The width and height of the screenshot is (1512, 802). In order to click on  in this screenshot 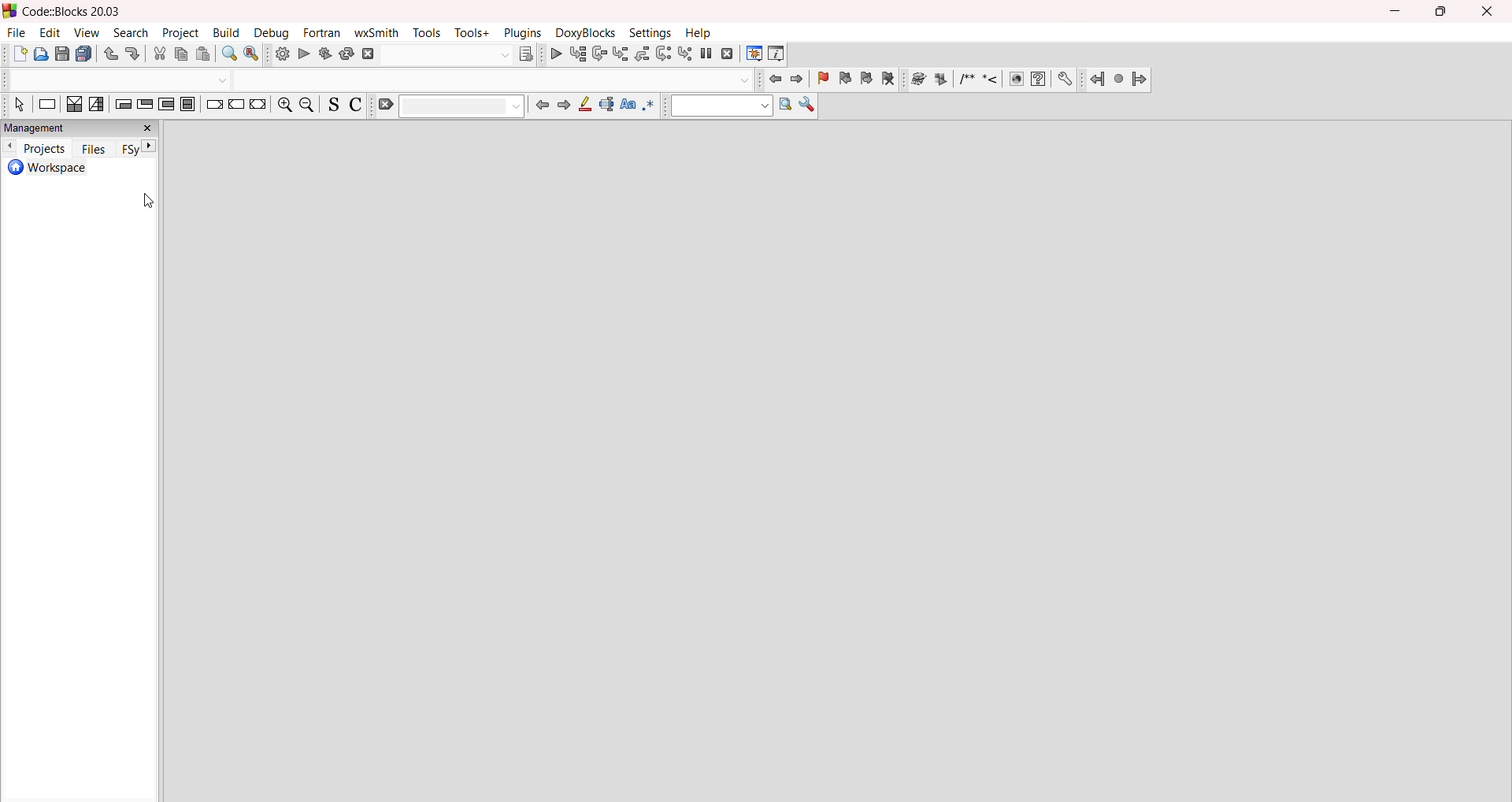, I will do `click(75, 105)`.